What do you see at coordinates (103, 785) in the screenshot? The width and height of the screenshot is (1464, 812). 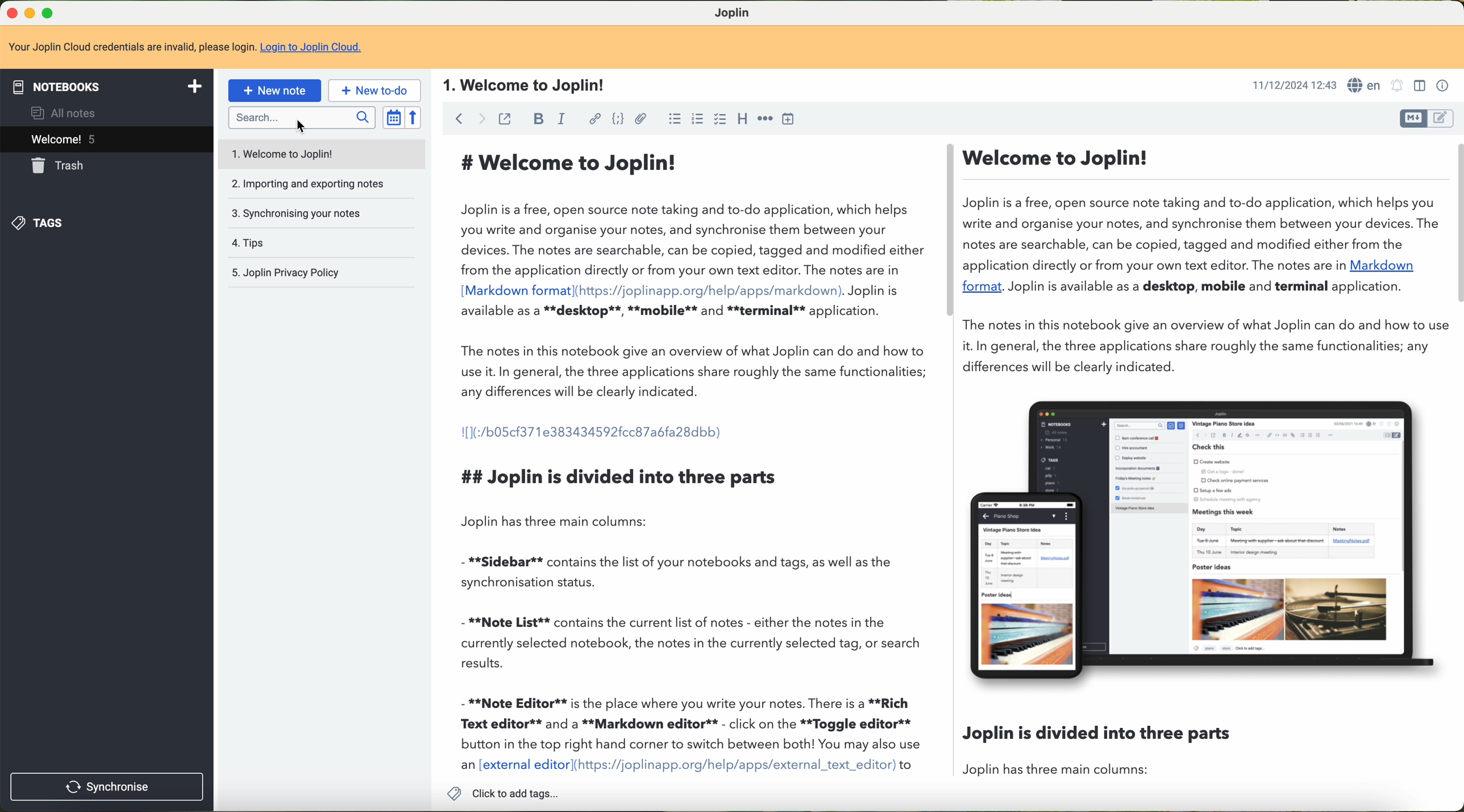 I see `synchronise` at bounding box center [103, 785].